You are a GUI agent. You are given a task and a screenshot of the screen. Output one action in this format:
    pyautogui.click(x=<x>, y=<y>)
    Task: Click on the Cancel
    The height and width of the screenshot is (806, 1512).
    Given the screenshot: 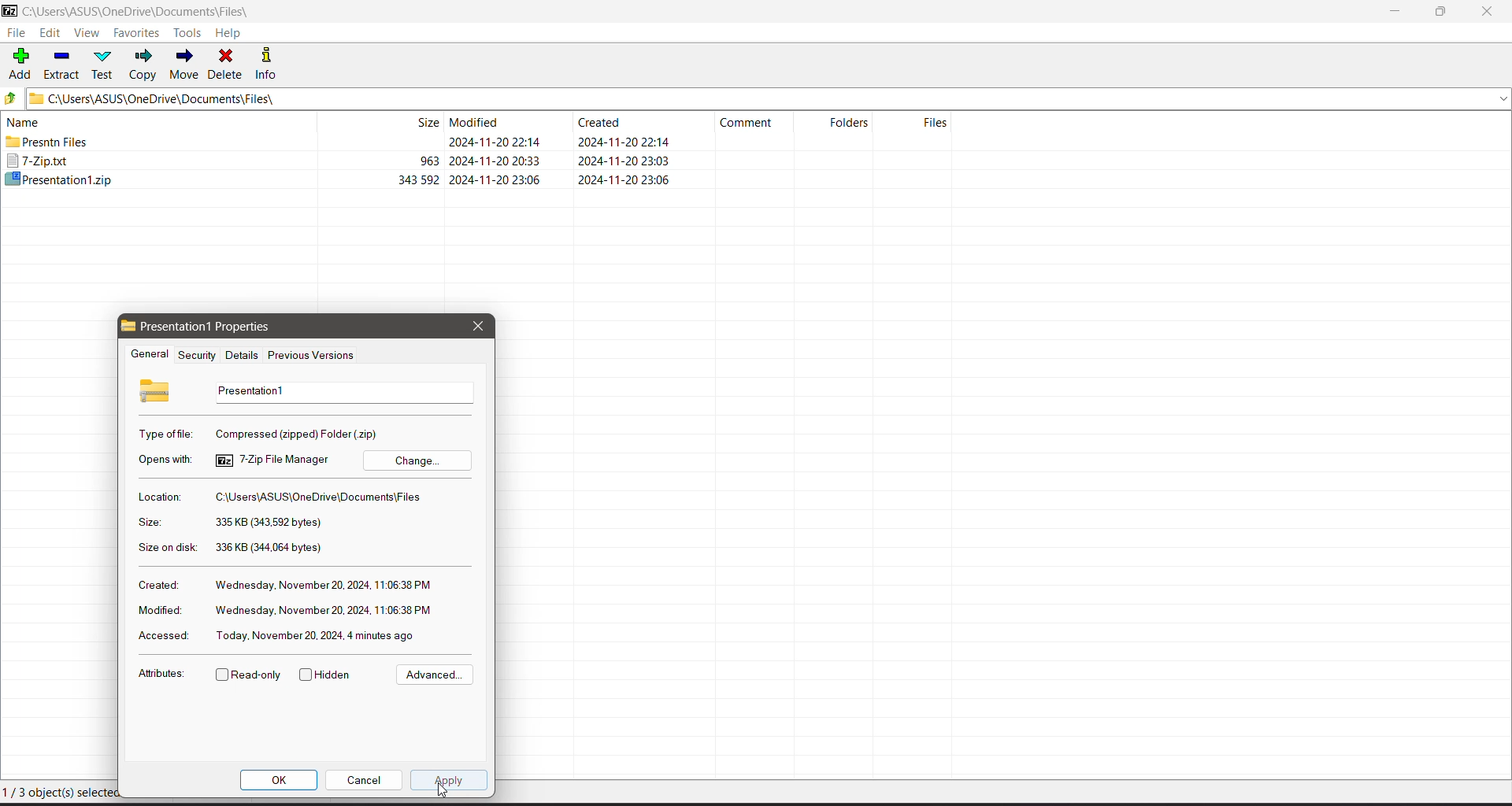 What is the action you would take?
    pyautogui.click(x=364, y=779)
    